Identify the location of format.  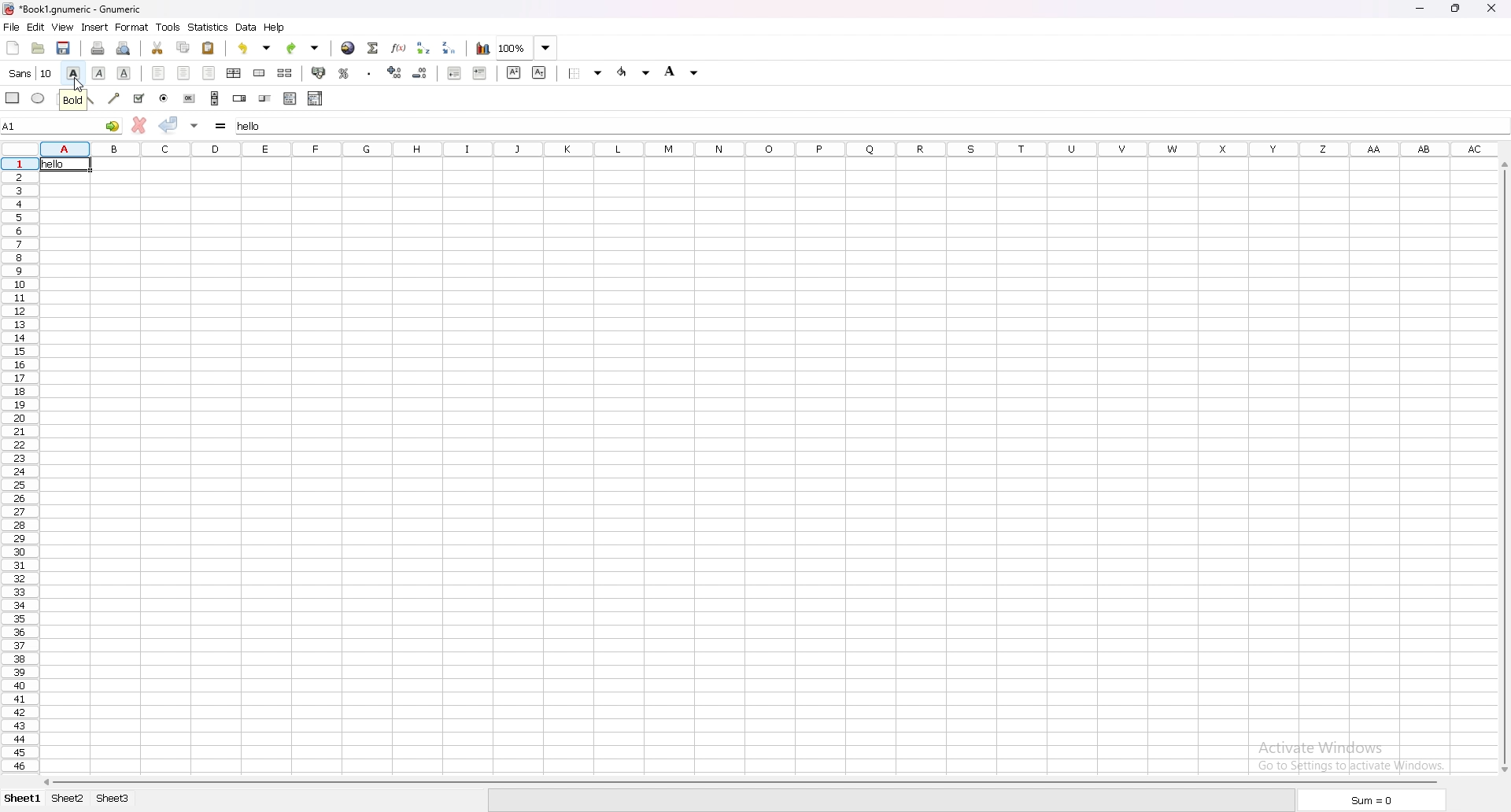
(131, 27).